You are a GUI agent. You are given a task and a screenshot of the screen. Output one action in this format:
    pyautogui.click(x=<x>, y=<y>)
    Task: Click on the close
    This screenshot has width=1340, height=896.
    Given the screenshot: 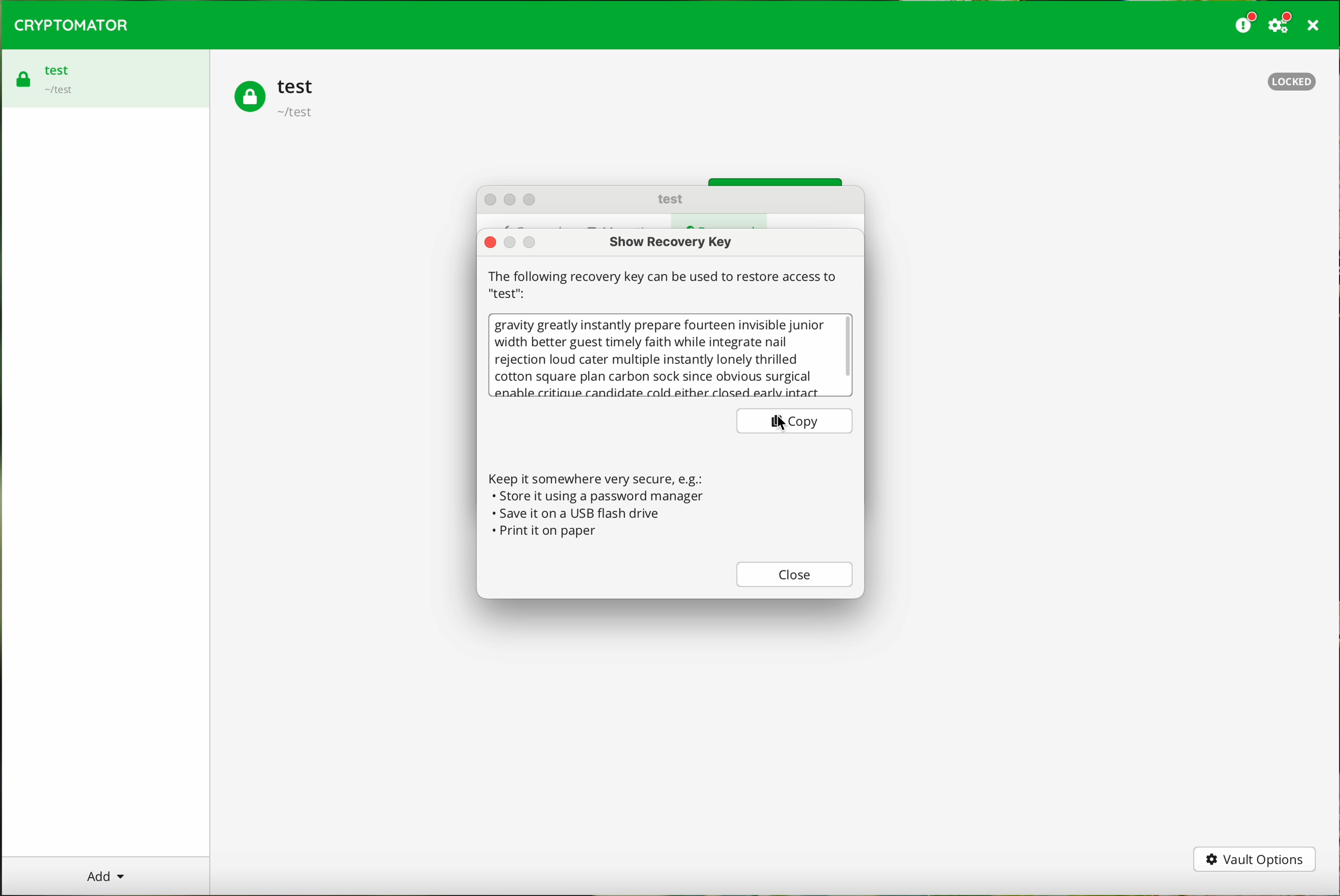 What is the action you would take?
    pyautogui.click(x=795, y=575)
    